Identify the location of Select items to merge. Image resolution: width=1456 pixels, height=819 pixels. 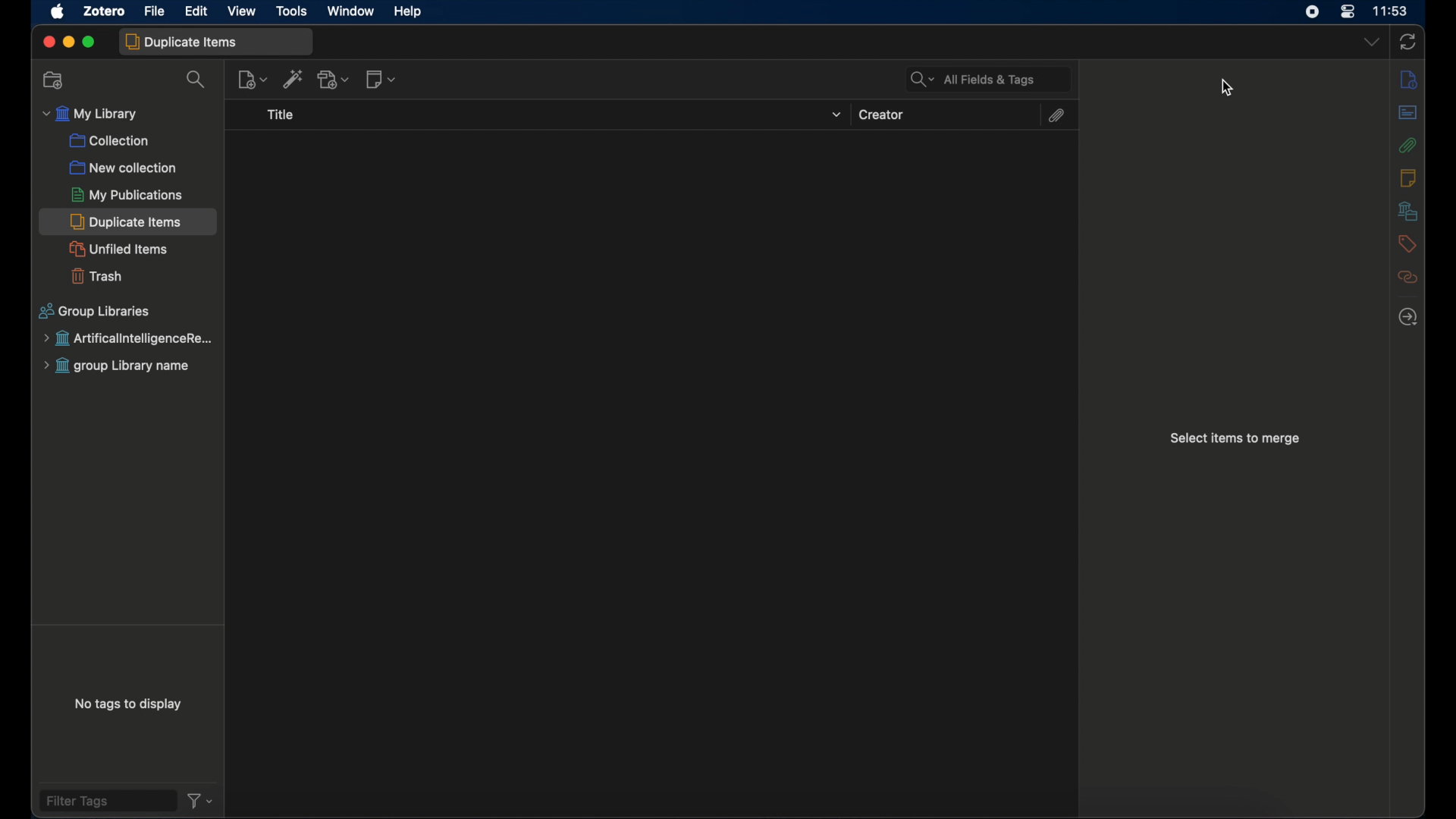
(1236, 441).